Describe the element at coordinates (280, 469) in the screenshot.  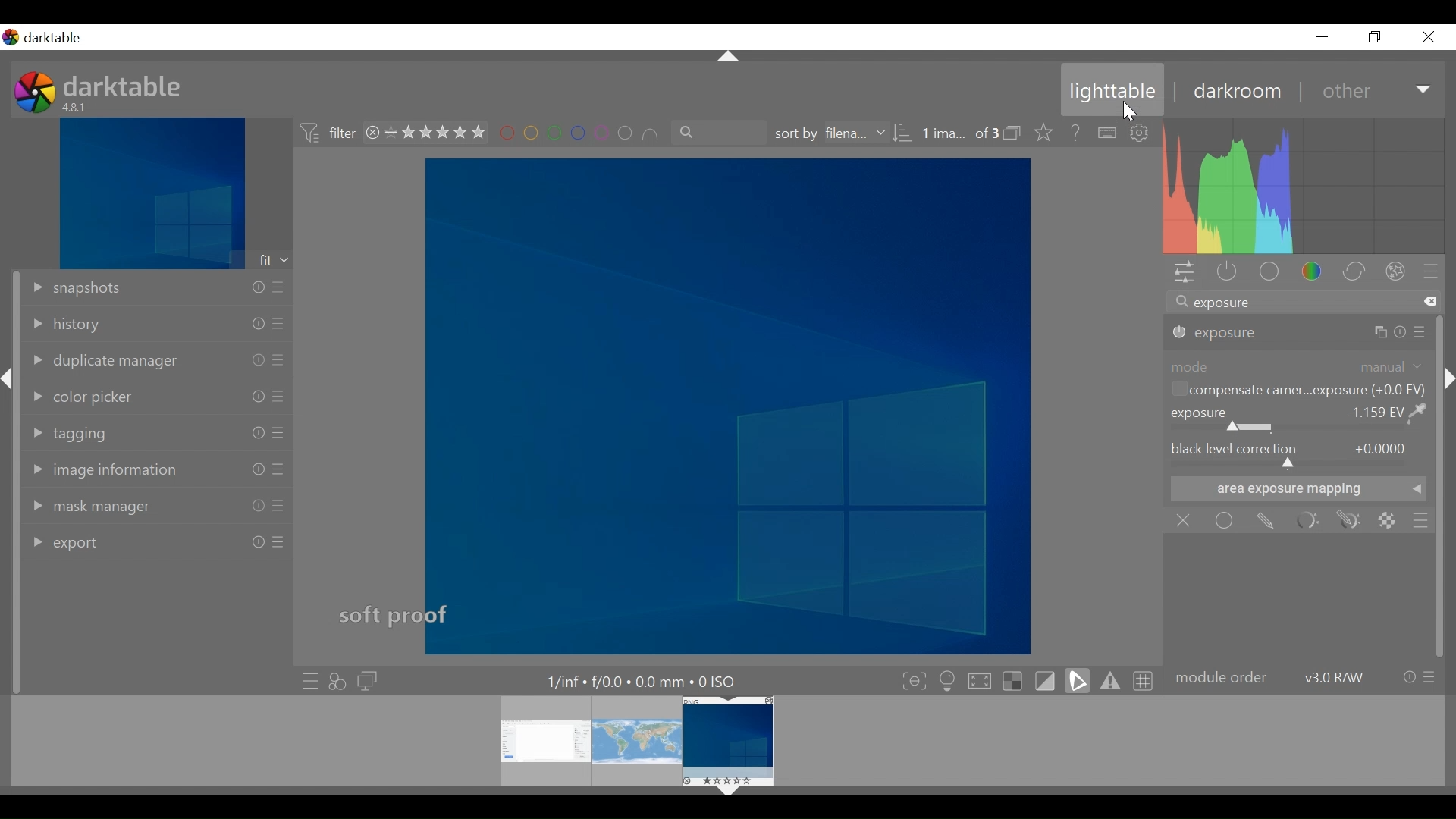
I see `presets` at that location.